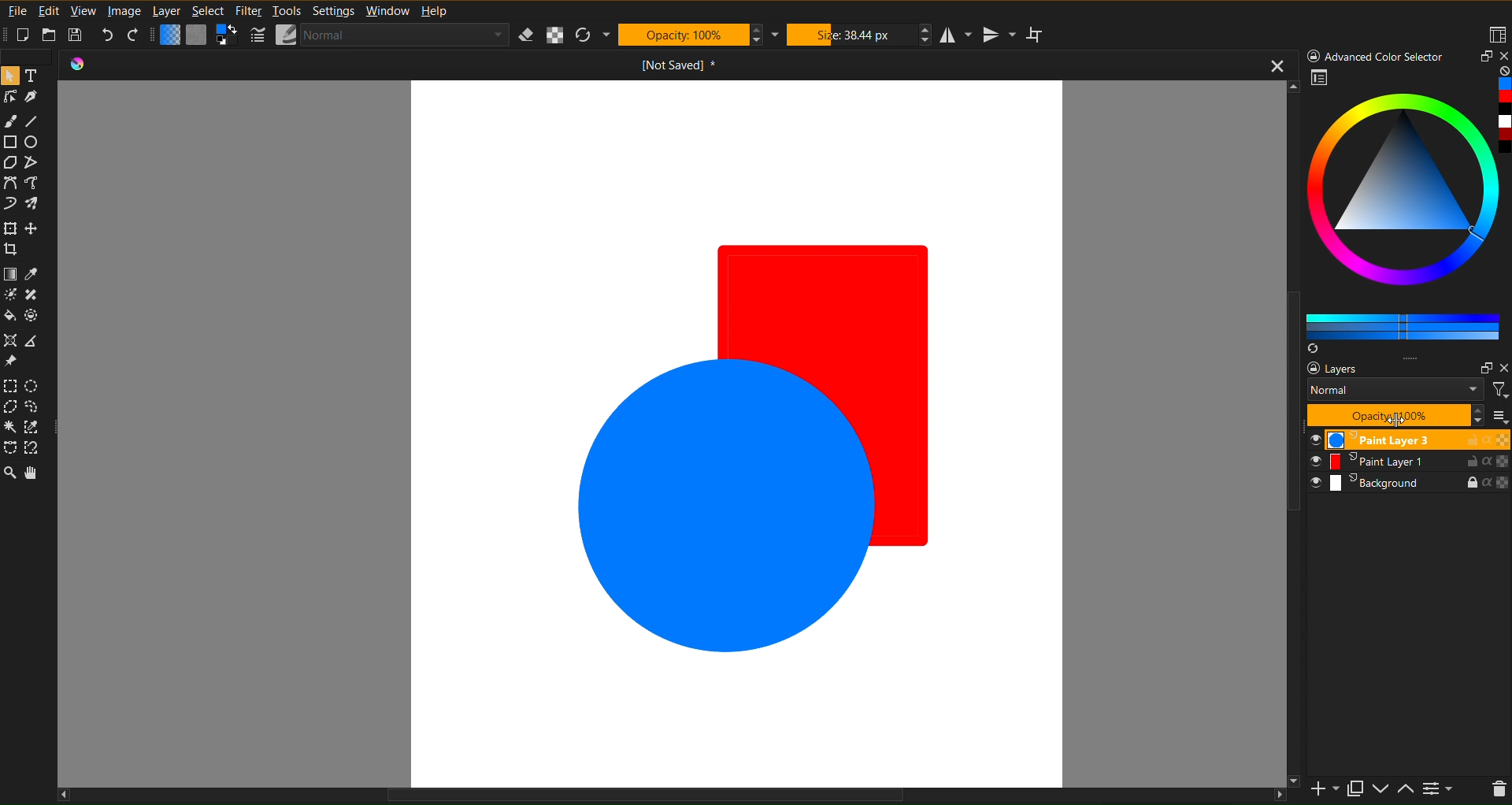 The width and height of the screenshot is (1512, 805). I want to click on Text, so click(35, 74).